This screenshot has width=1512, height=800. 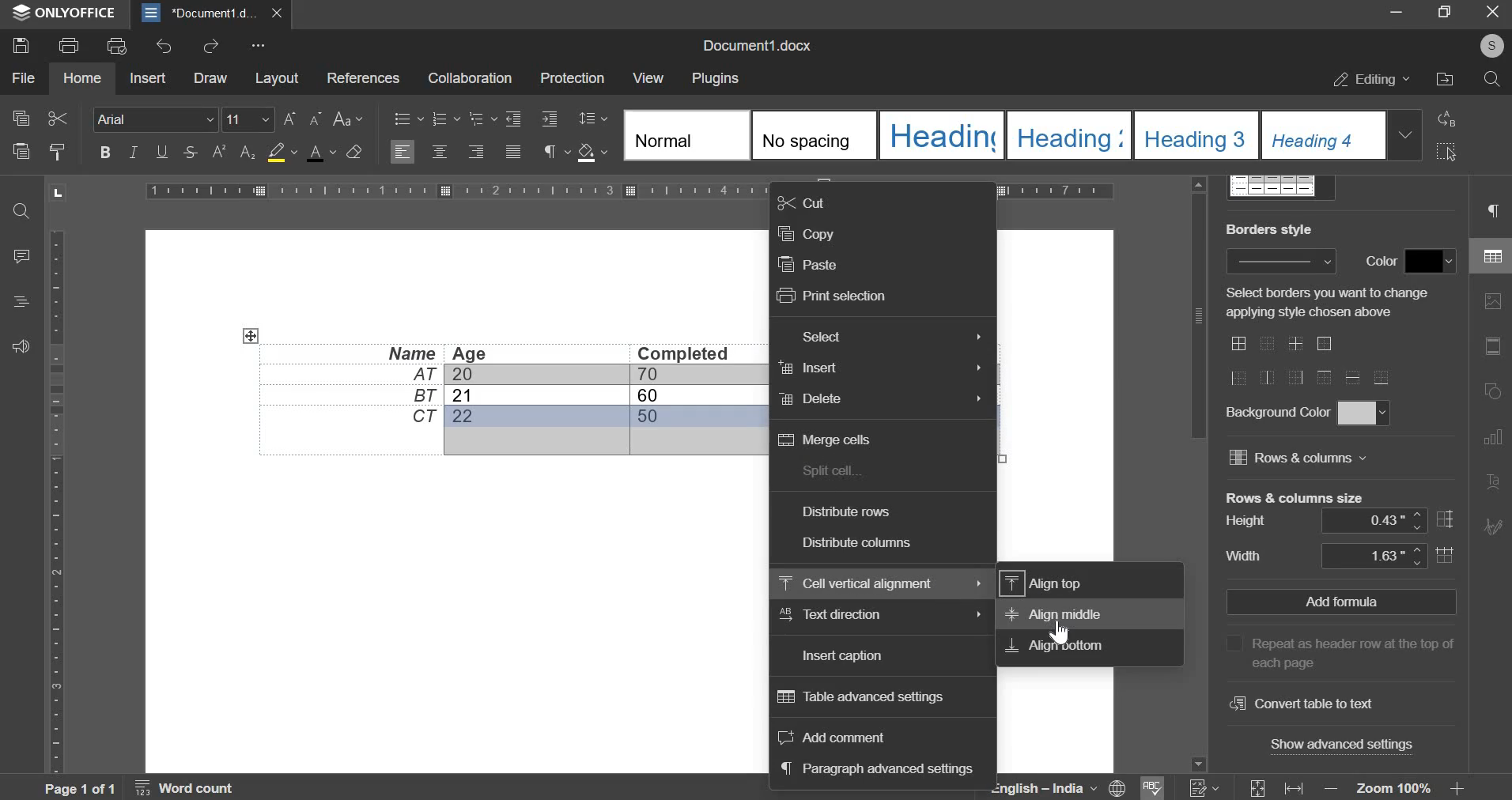 What do you see at coordinates (1313, 364) in the screenshot?
I see `border styles` at bounding box center [1313, 364].